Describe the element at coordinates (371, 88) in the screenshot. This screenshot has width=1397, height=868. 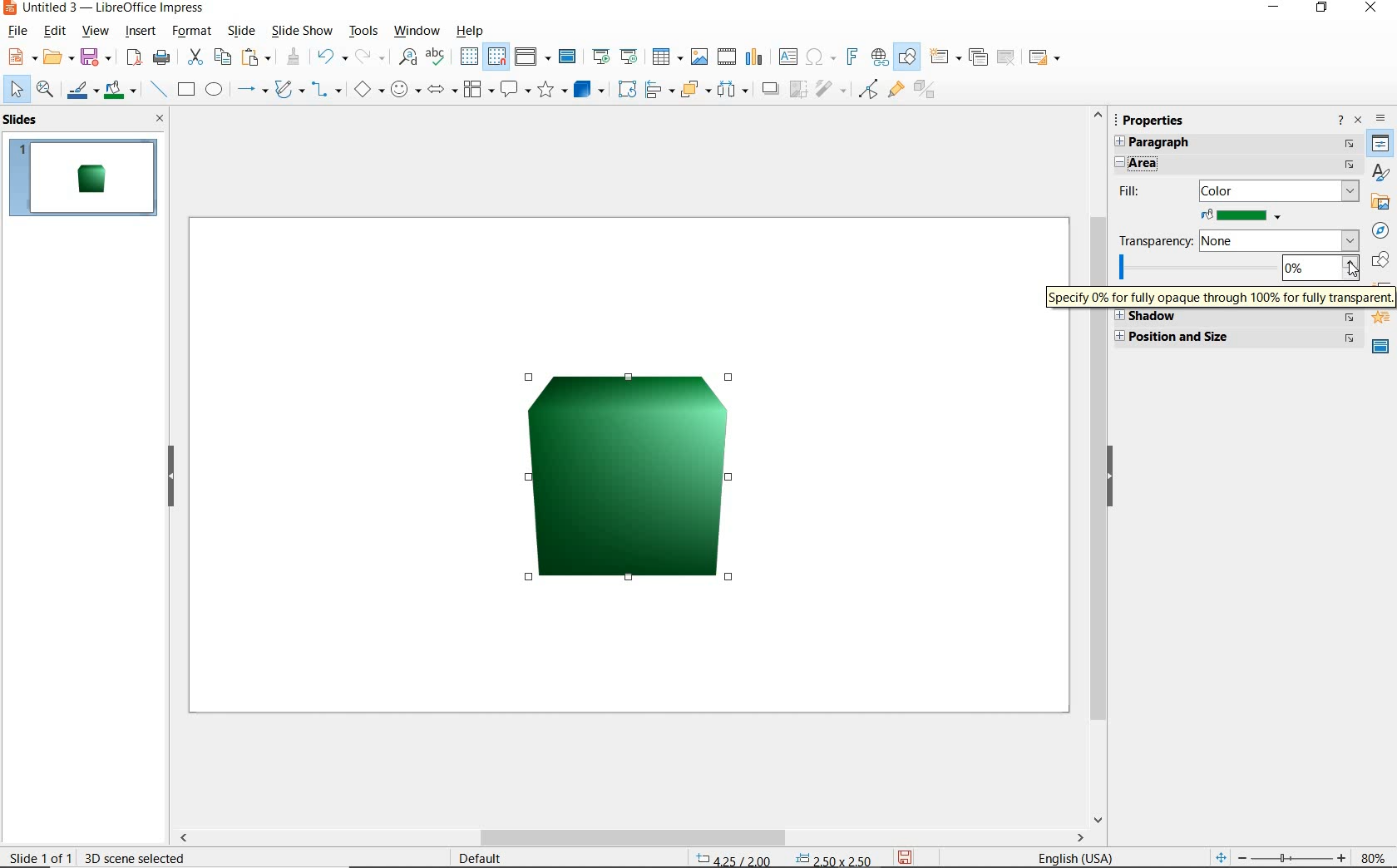
I see `basic shapes` at that location.